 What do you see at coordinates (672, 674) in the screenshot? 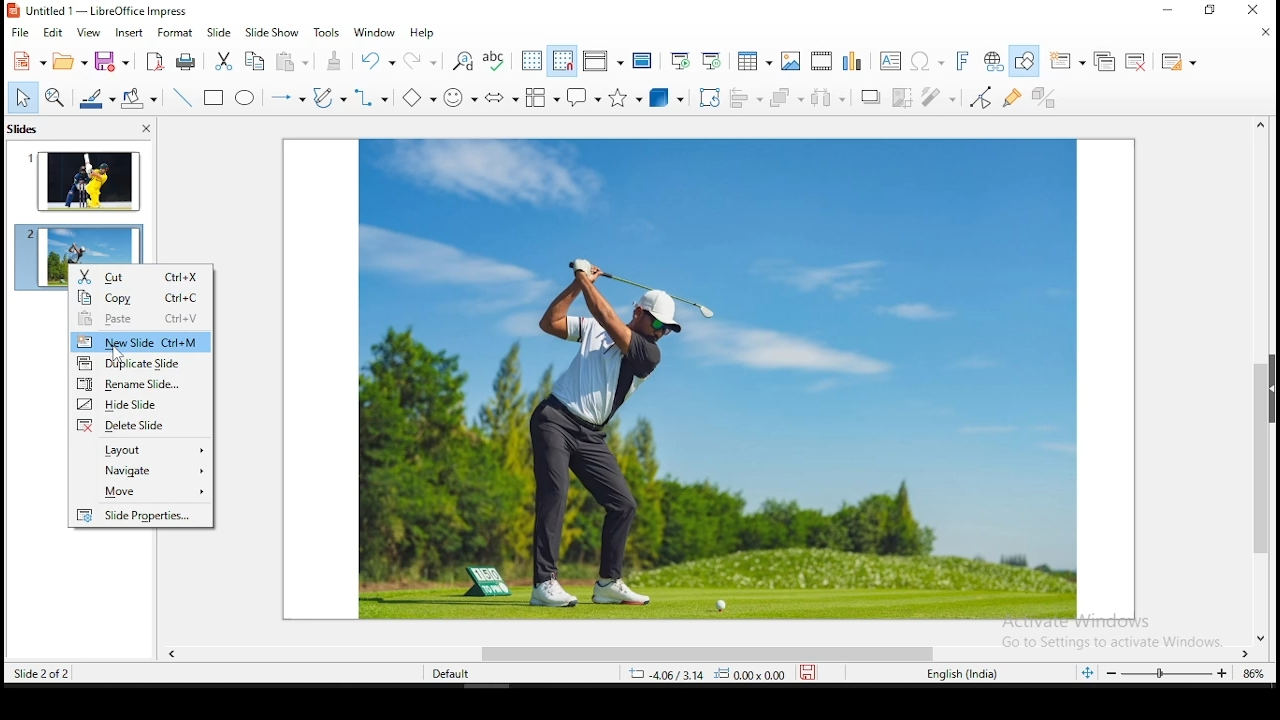
I see `4.06` at bounding box center [672, 674].